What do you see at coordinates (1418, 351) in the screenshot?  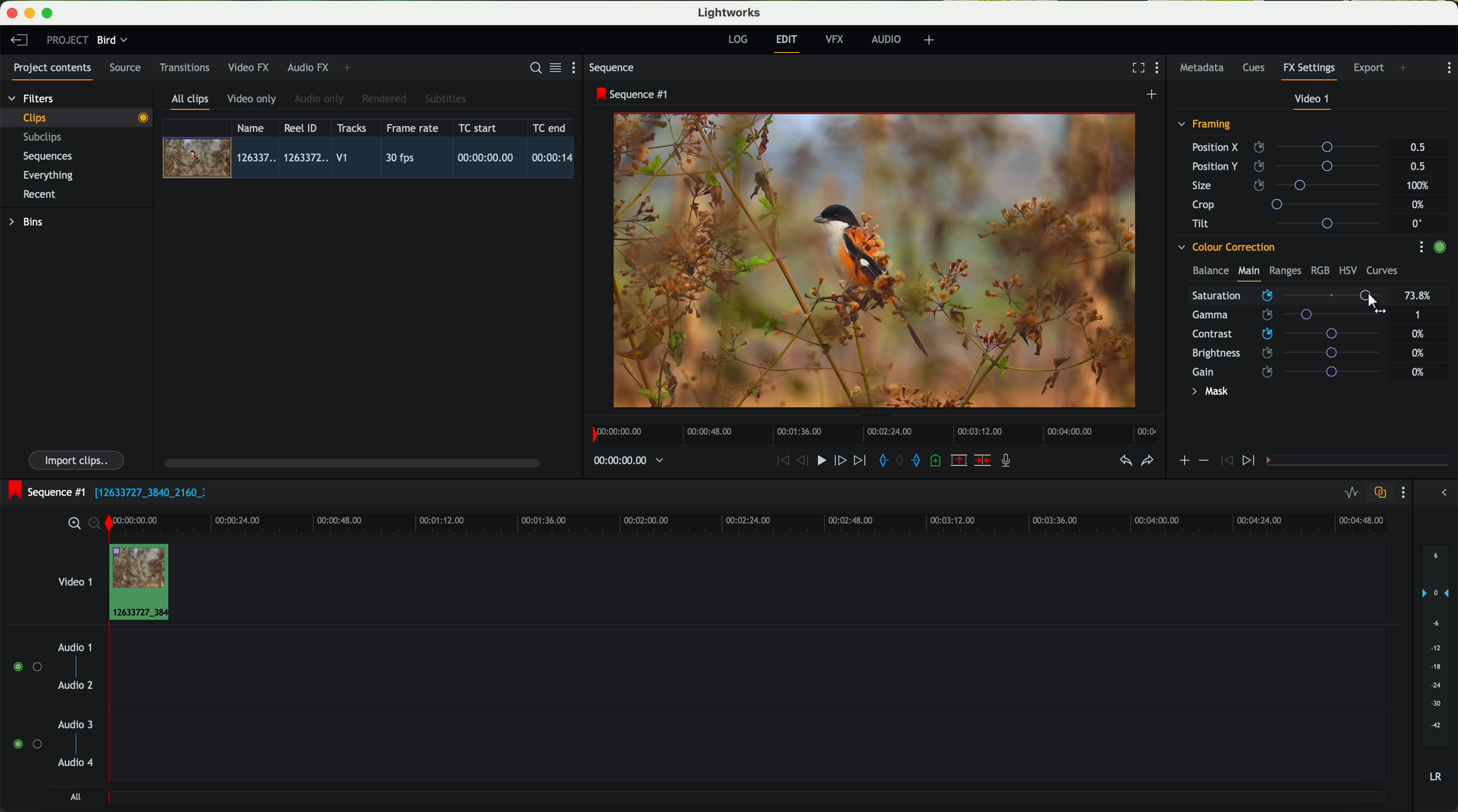 I see `0%` at bounding box center [1418, 351].